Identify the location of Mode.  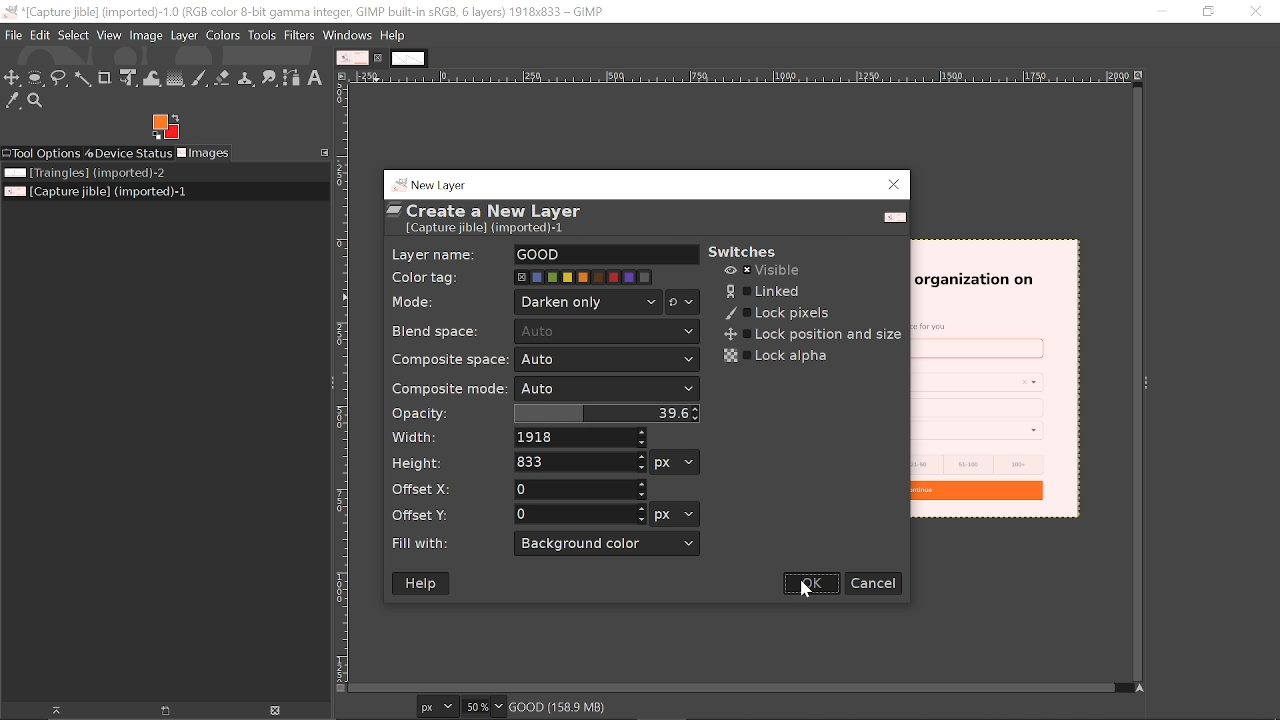
(589, 302).